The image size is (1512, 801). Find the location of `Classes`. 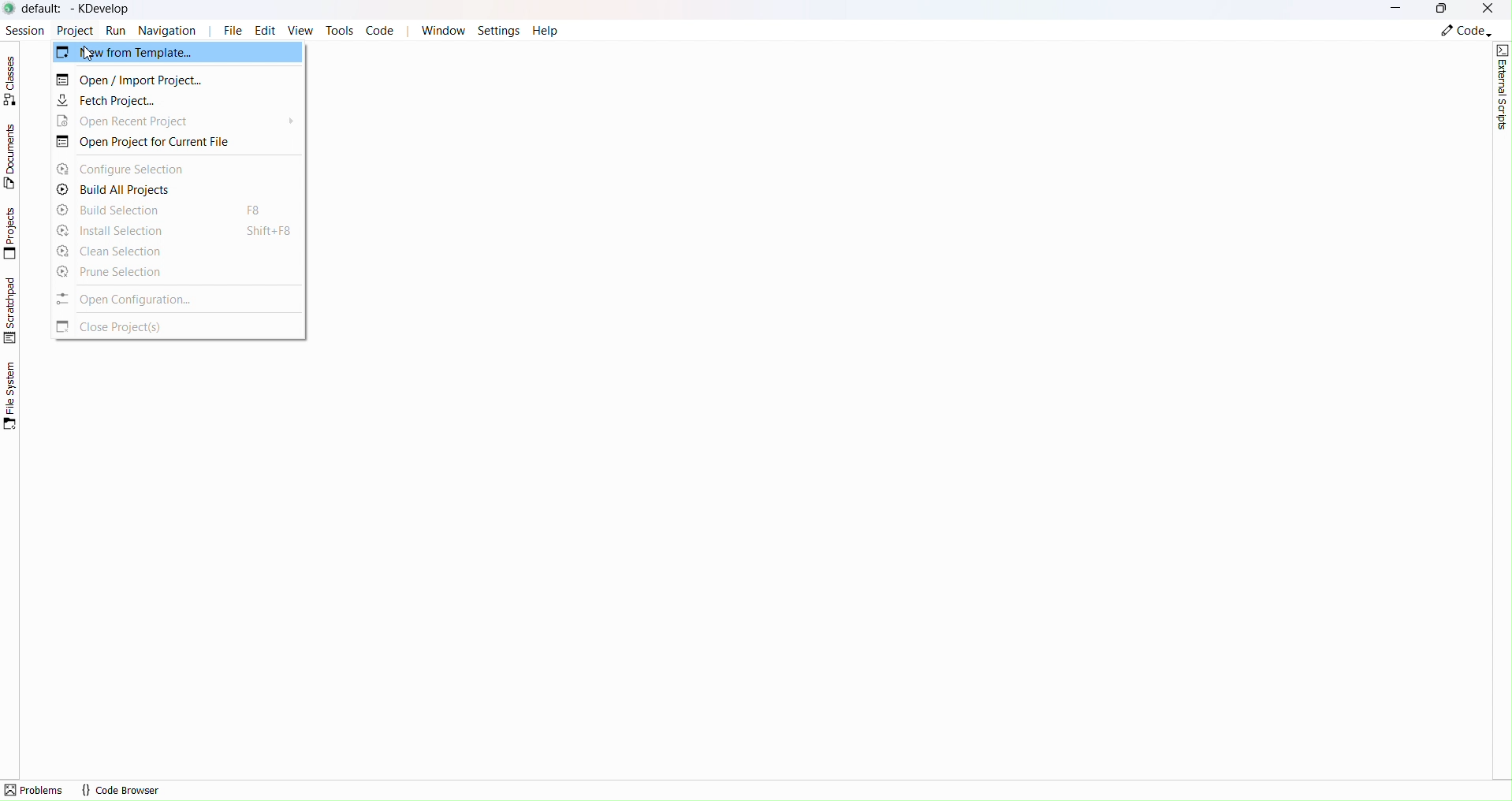

Classes is located at coordinates (15, 80).